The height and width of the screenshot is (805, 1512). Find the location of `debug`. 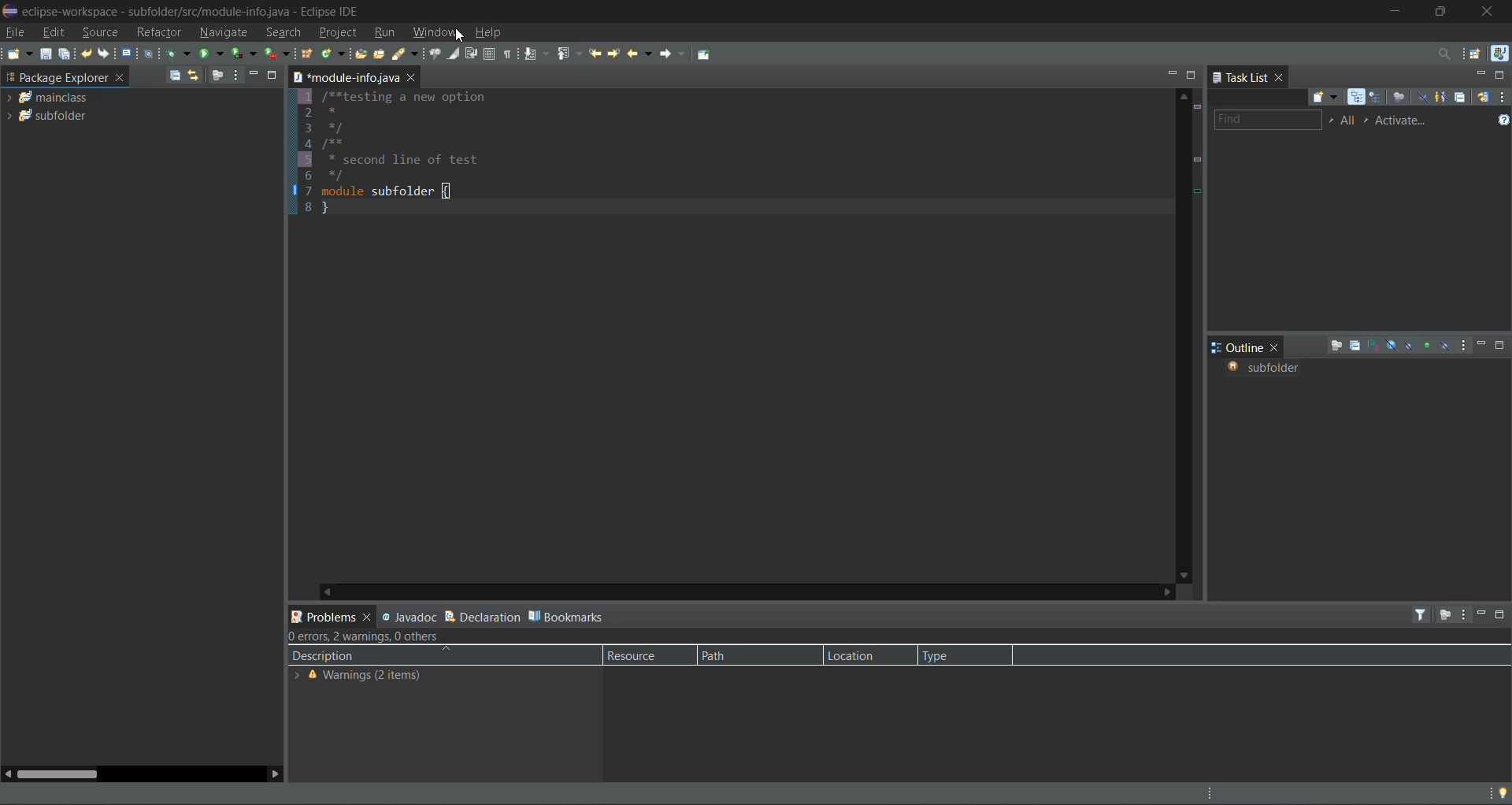

debug is located at coordinates (177, 54).